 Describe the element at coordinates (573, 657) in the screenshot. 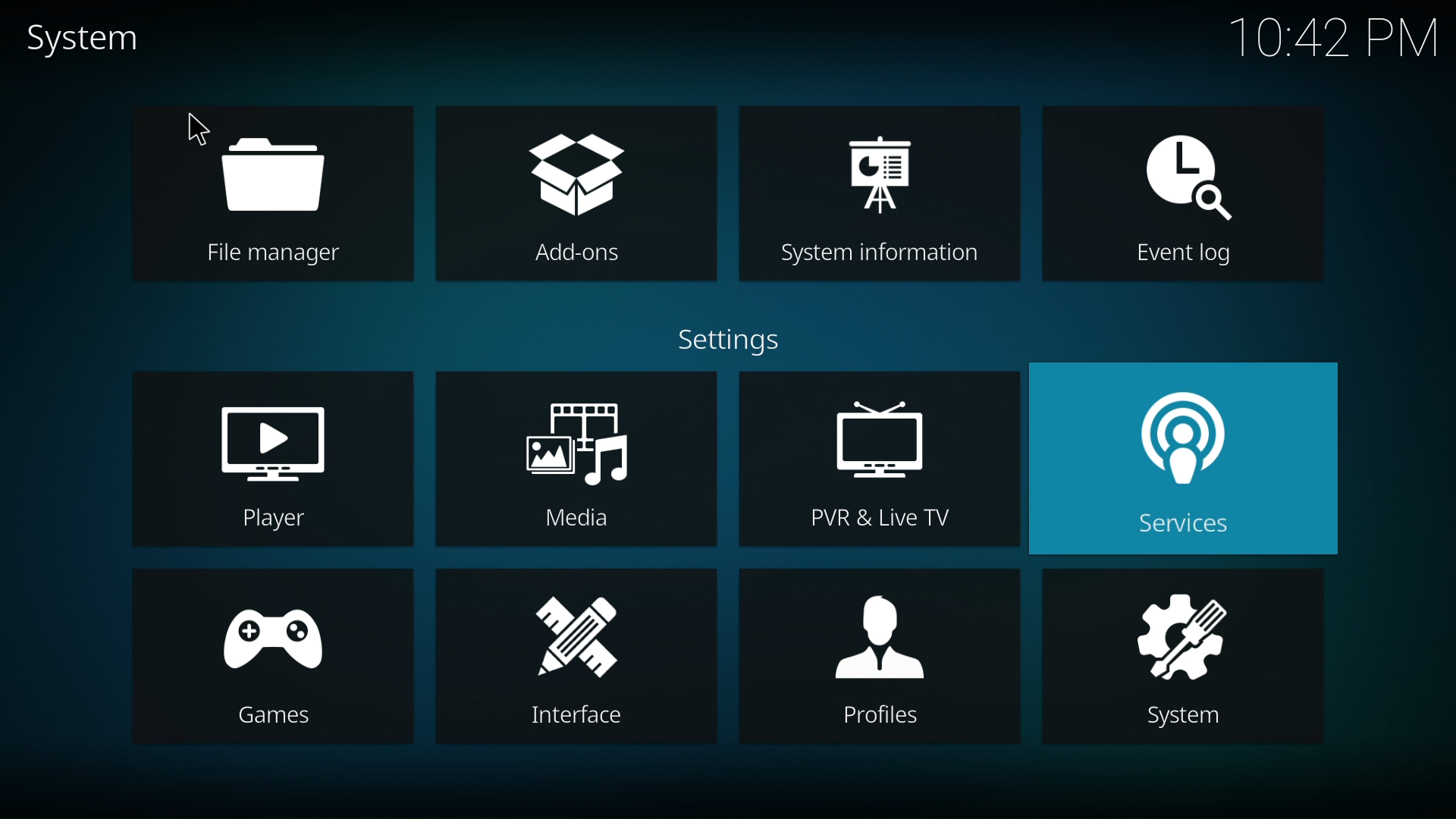

I see `interface` at that location.